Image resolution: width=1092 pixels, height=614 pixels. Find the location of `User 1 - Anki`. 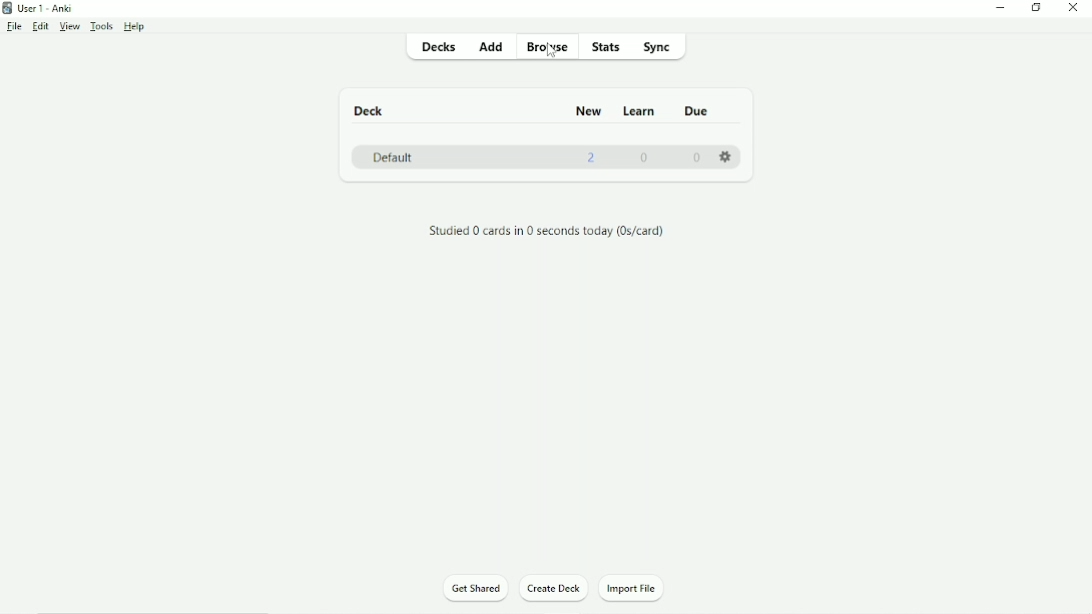

User 1 - Anki is located at coordinates (48, 9).